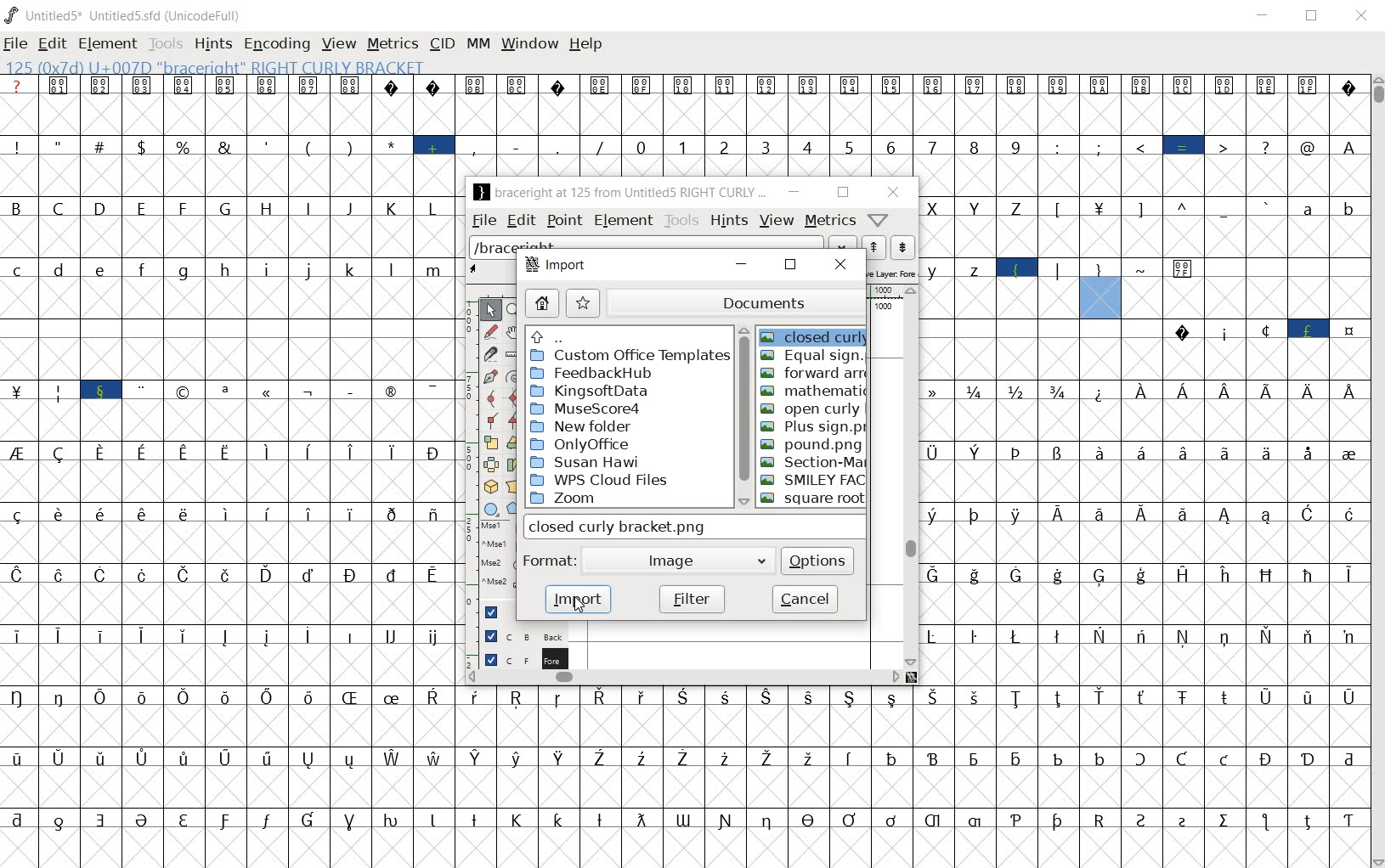  Describe the element at coordinates (489, 442) in the screenshot. I see `scale the selection` at that location.